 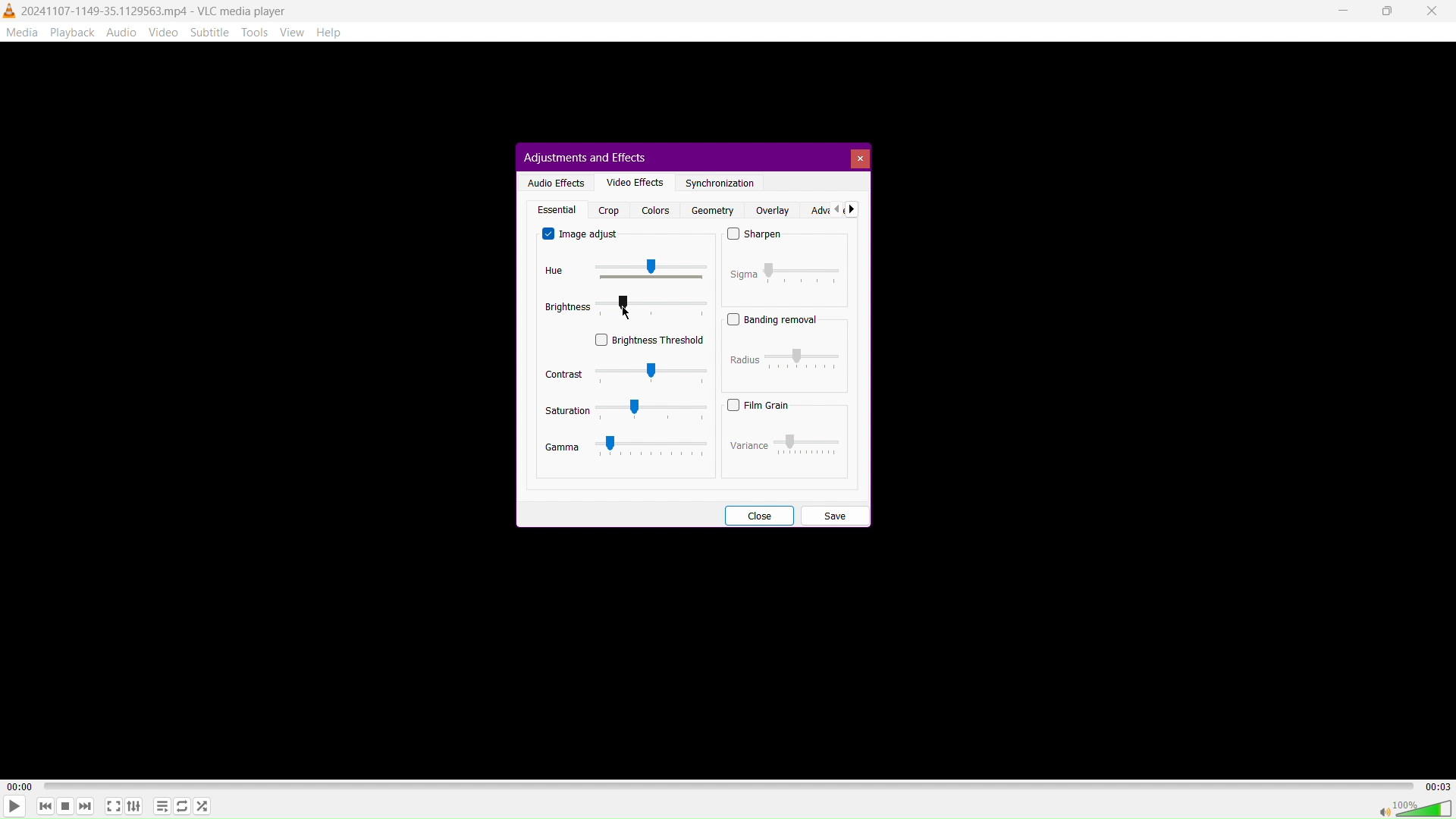 I want to click on Advanced, so click(x=832, y=209).